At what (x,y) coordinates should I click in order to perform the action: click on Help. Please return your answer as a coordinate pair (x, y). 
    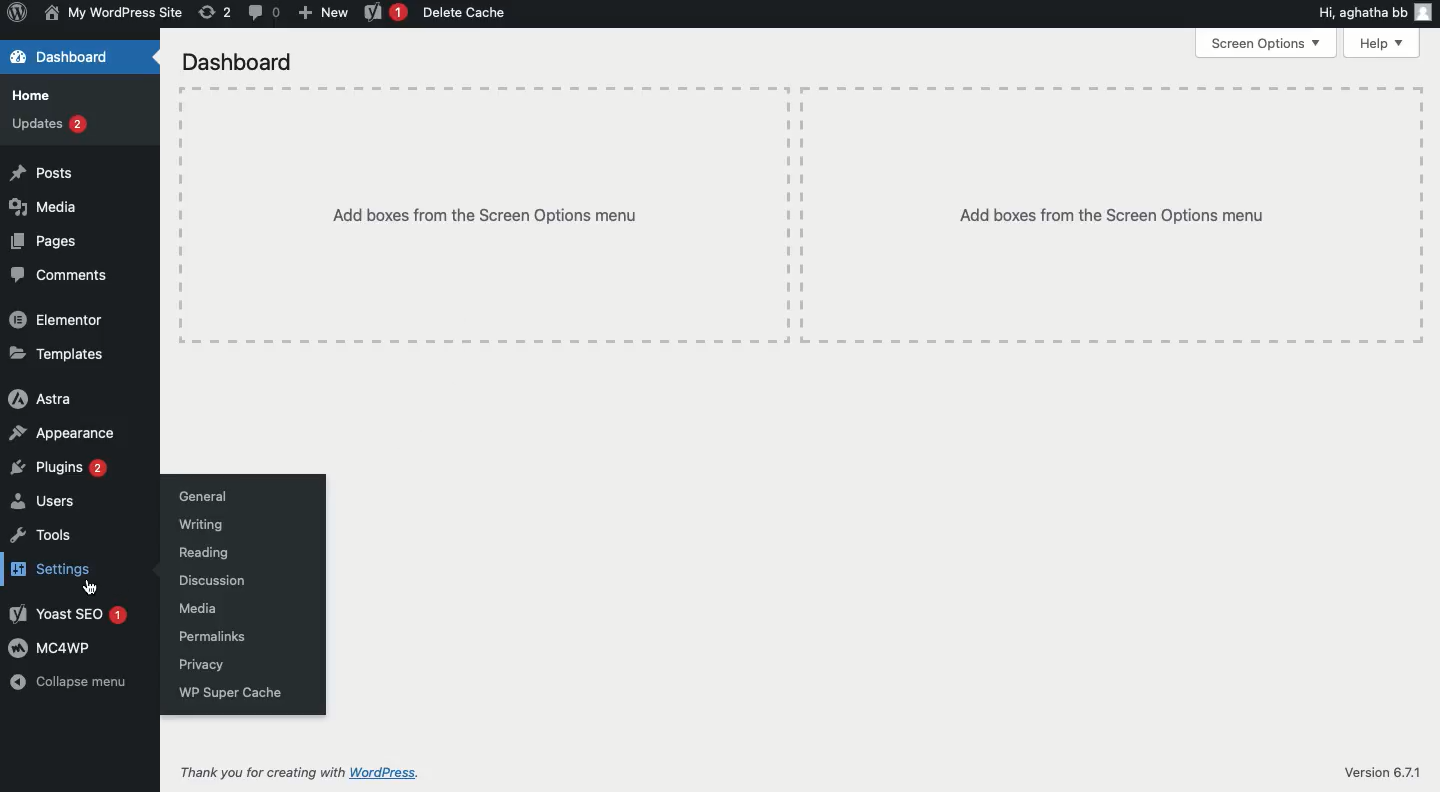
    Looking at the image, I should click on (1385, 44).